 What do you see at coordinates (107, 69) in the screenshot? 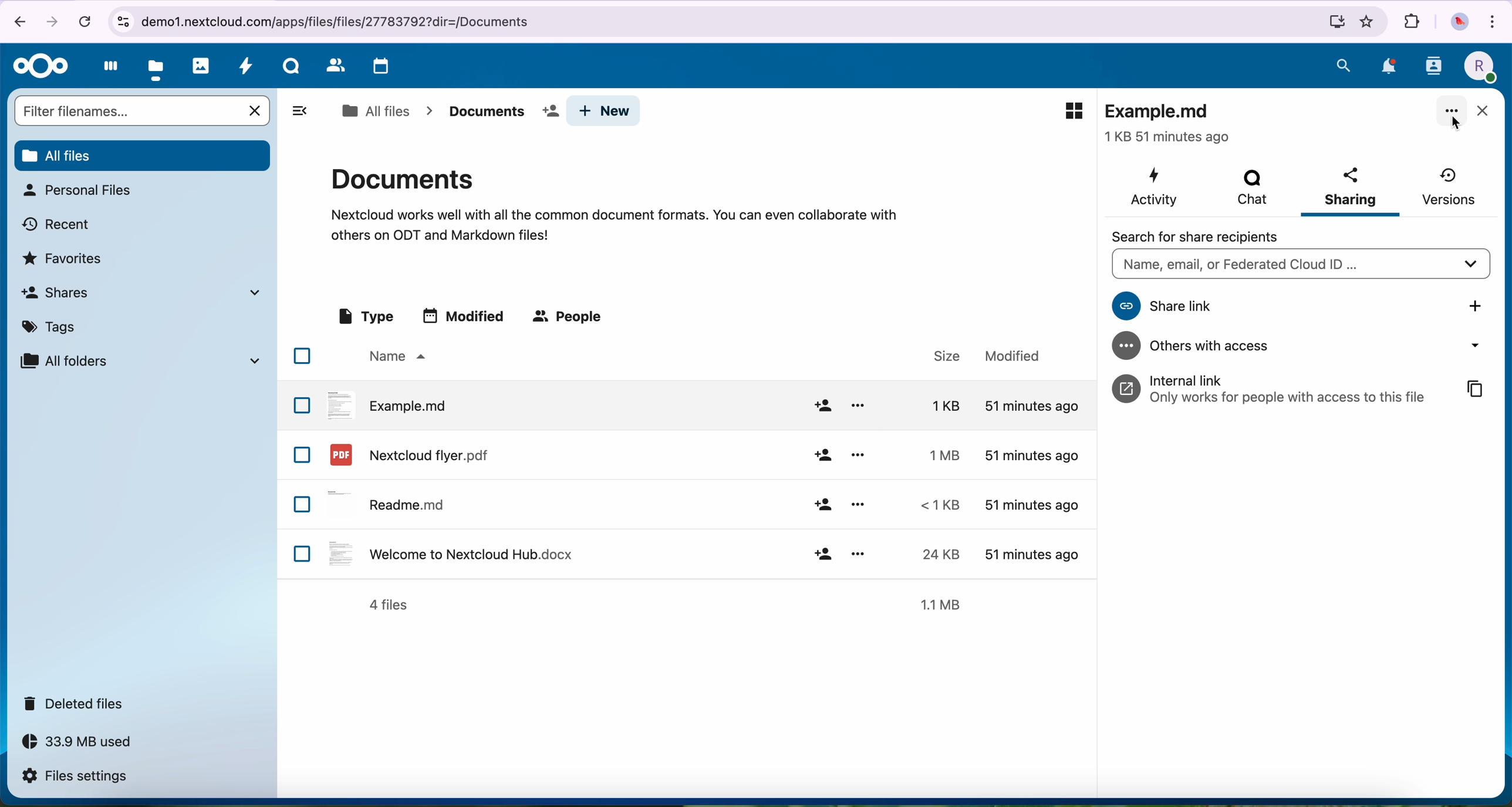
I see `dashboard` at bounding box center [107, 69].